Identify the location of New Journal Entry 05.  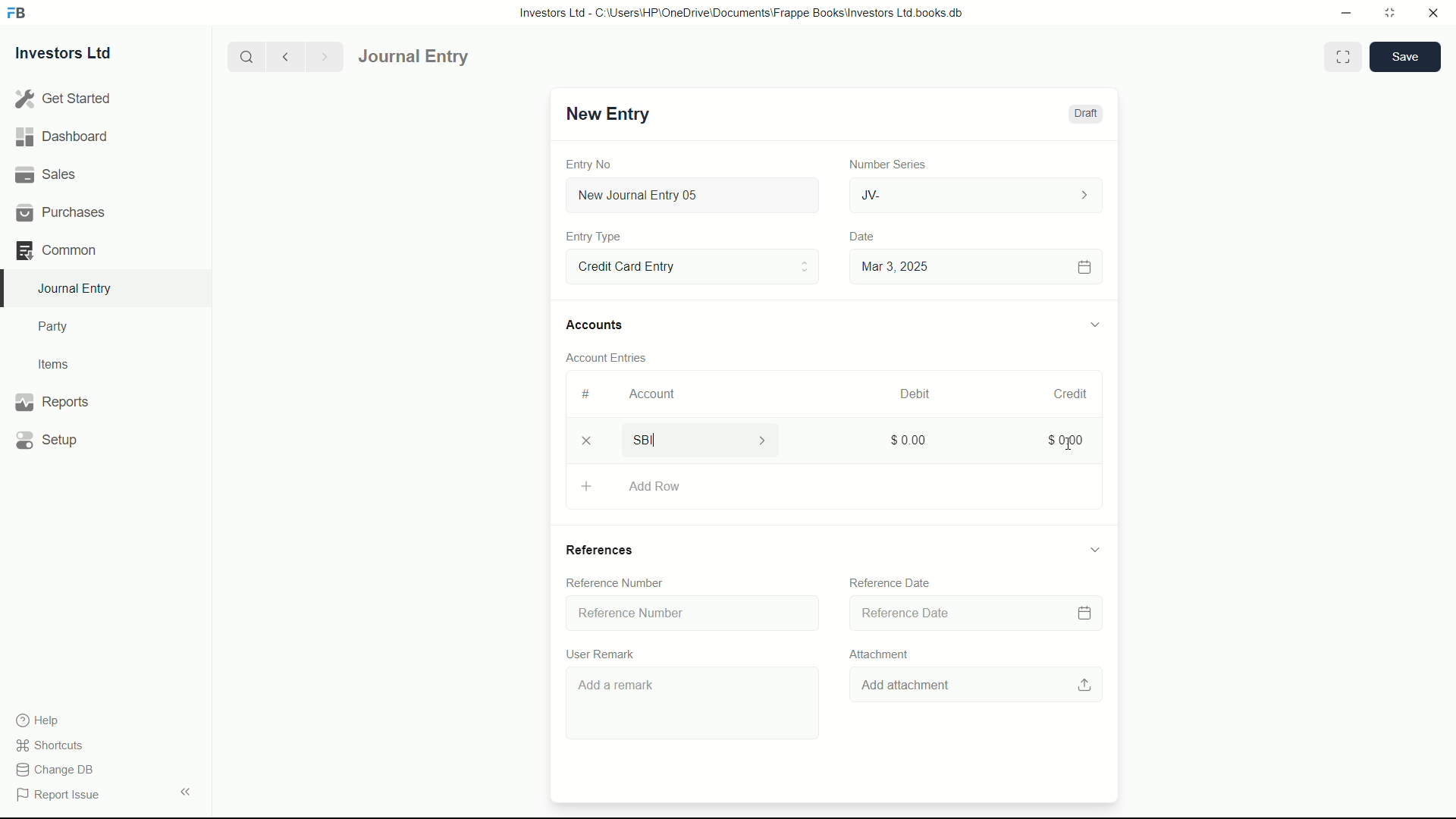
(695, 196).